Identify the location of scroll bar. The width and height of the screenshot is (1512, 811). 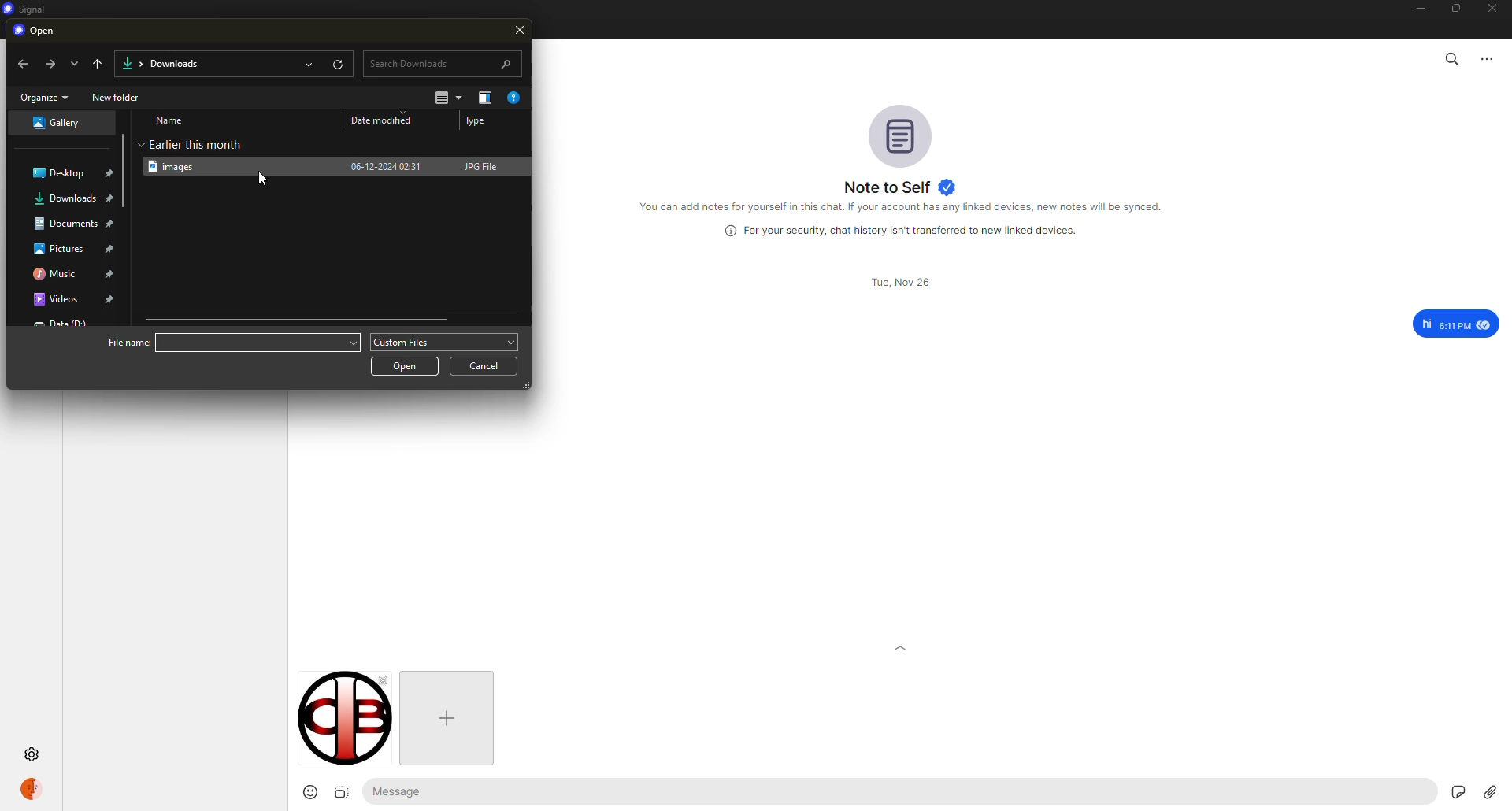
(299, 320).